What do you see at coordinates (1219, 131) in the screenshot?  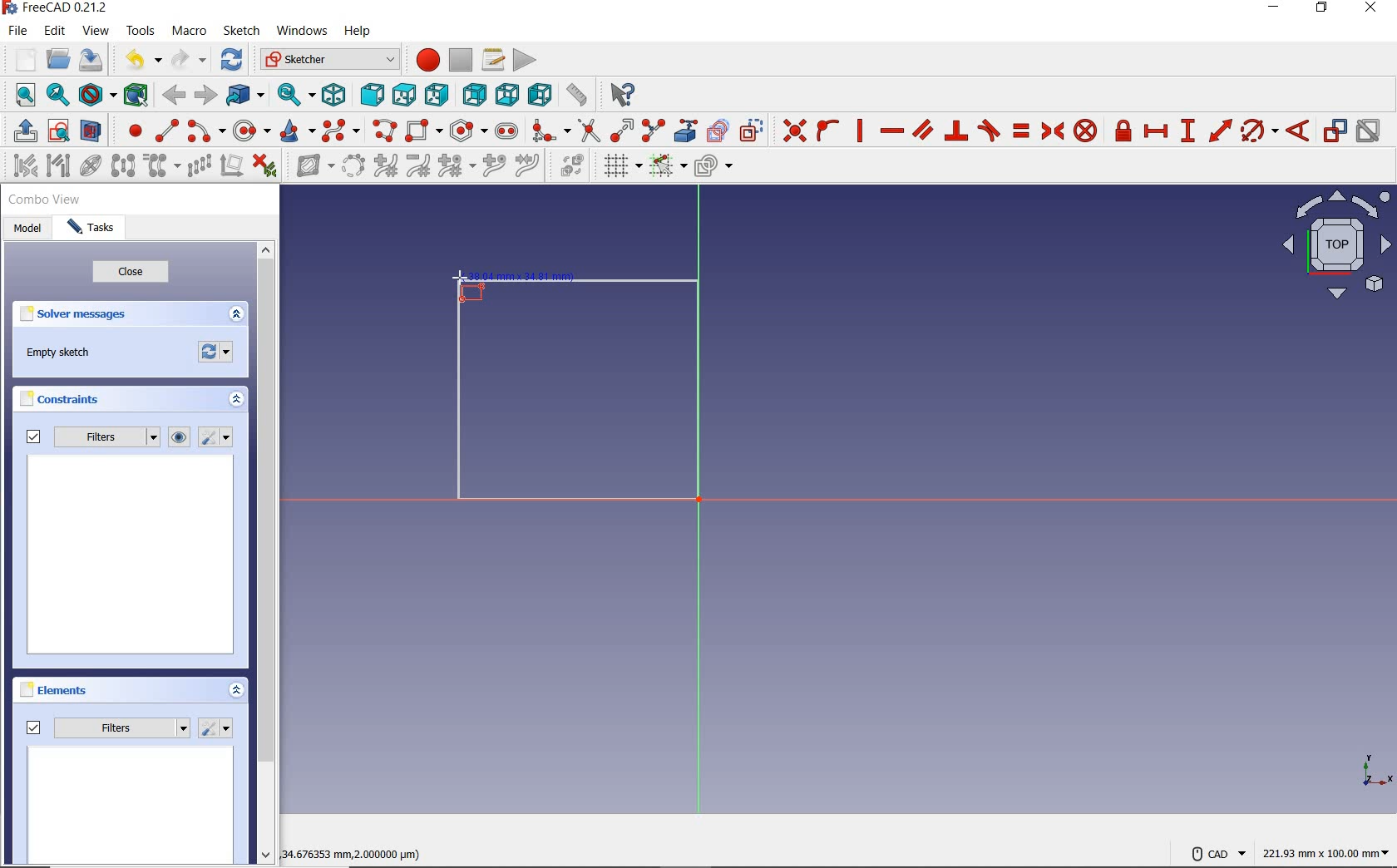 I see `constrain distance` at bounding box center [1219, 131].